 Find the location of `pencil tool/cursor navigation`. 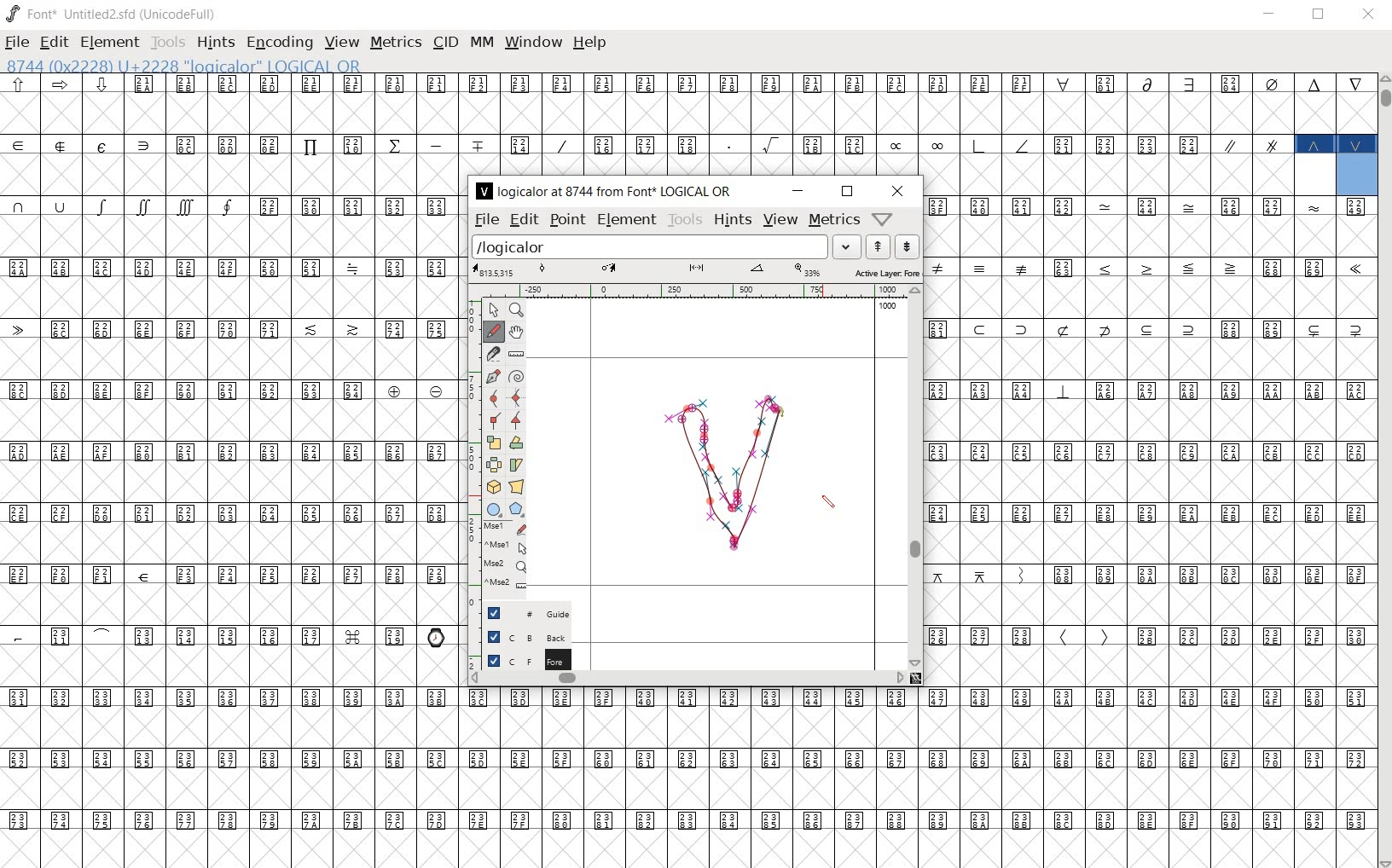

pencil tool/cursor navigation is located at coordinates (831, 502).